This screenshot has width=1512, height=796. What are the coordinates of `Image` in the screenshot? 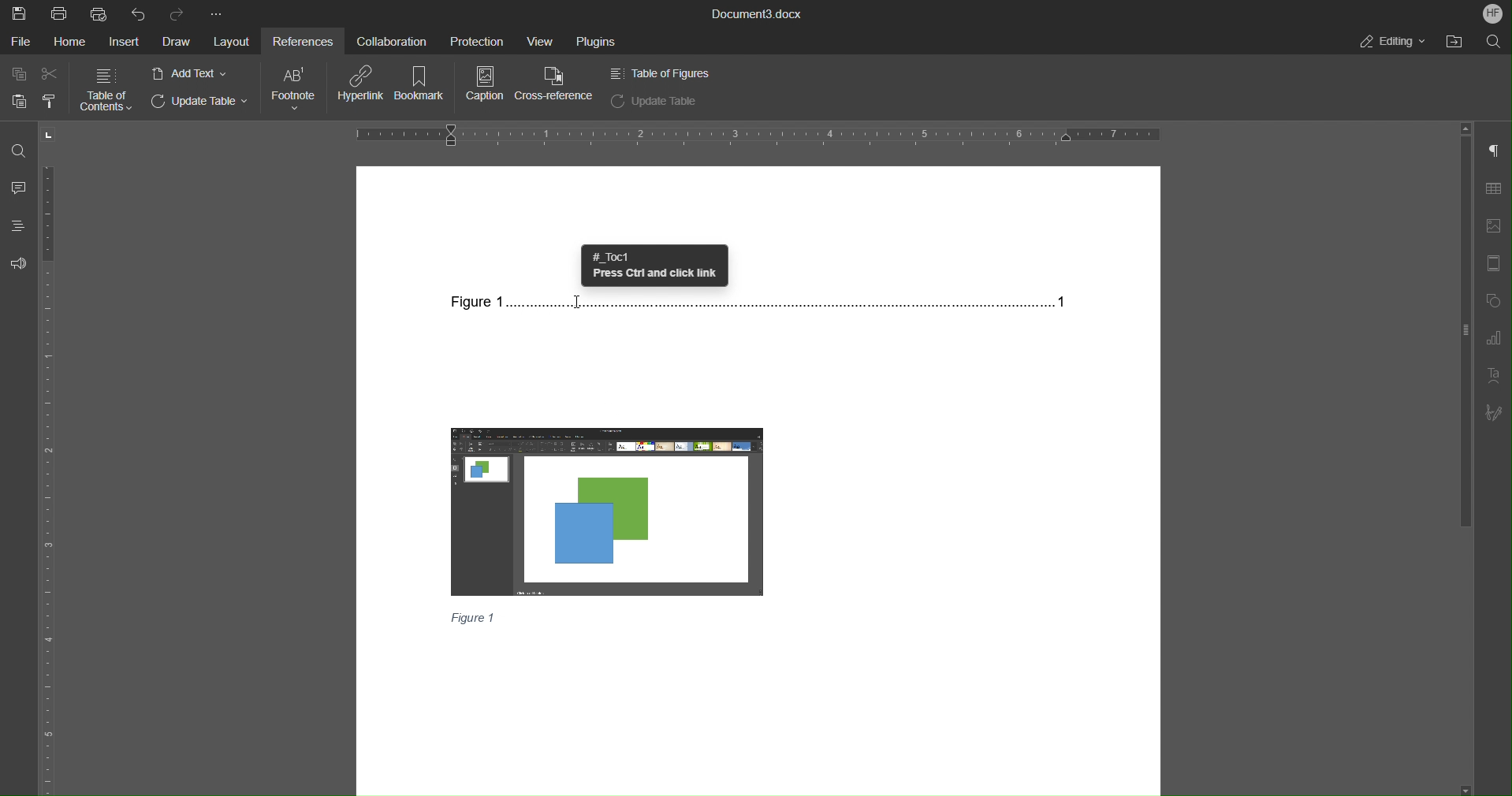 It's located at (610, 509).